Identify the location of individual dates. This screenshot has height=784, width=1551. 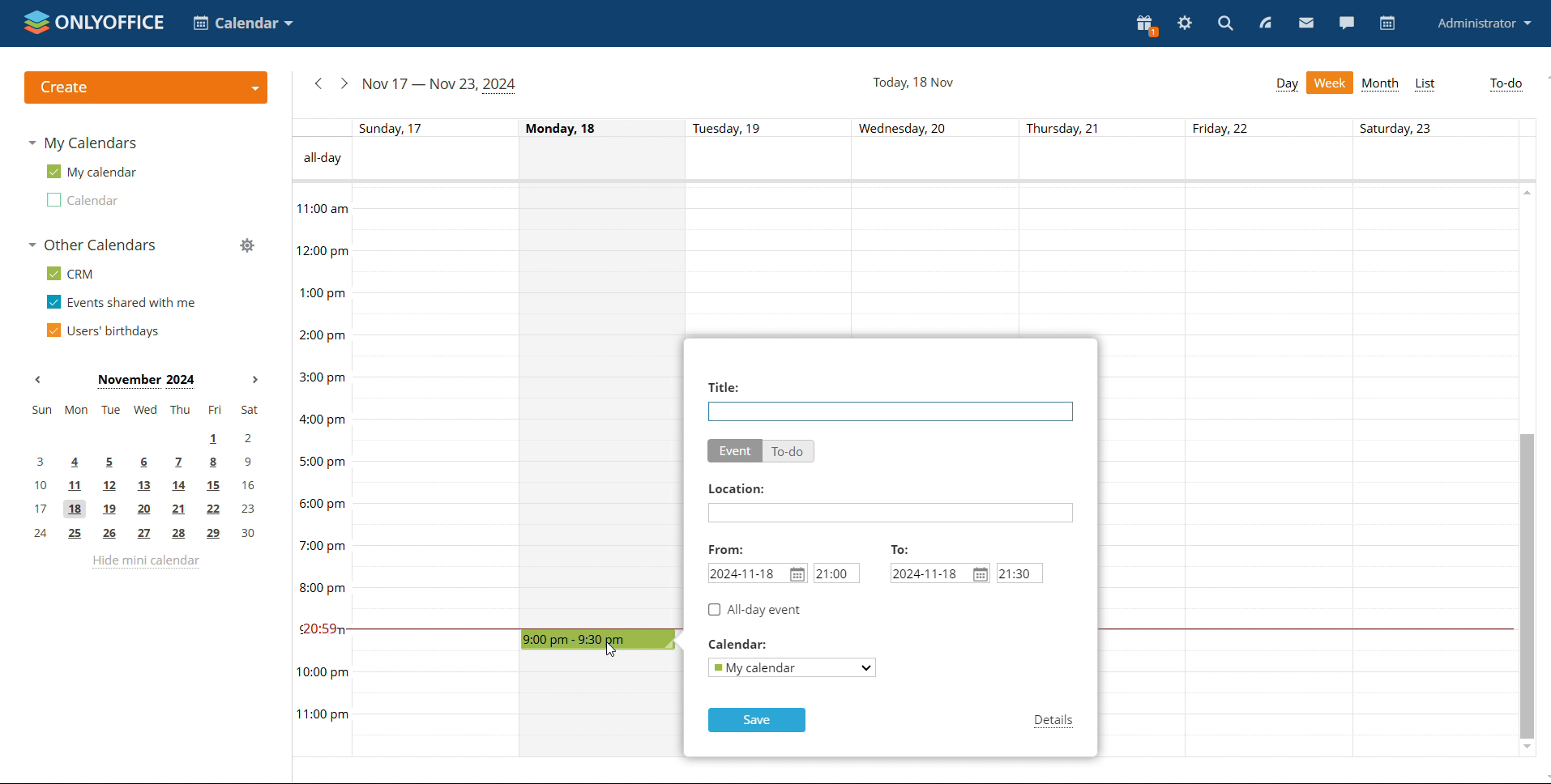
(935, 127).